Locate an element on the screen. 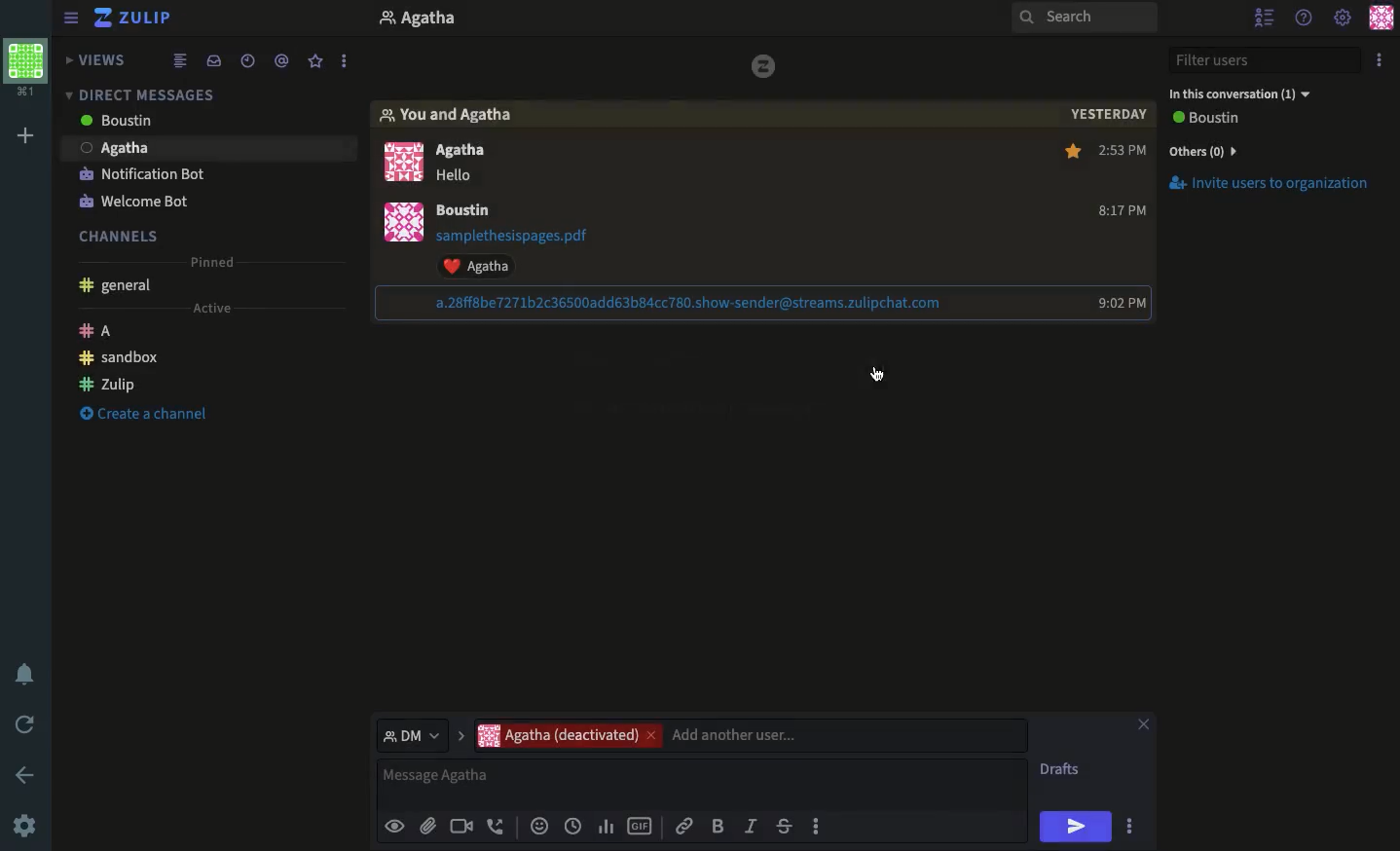 The width and height of the screenshot is (1400, 851). Inbox is located at coordinates (213, 59).